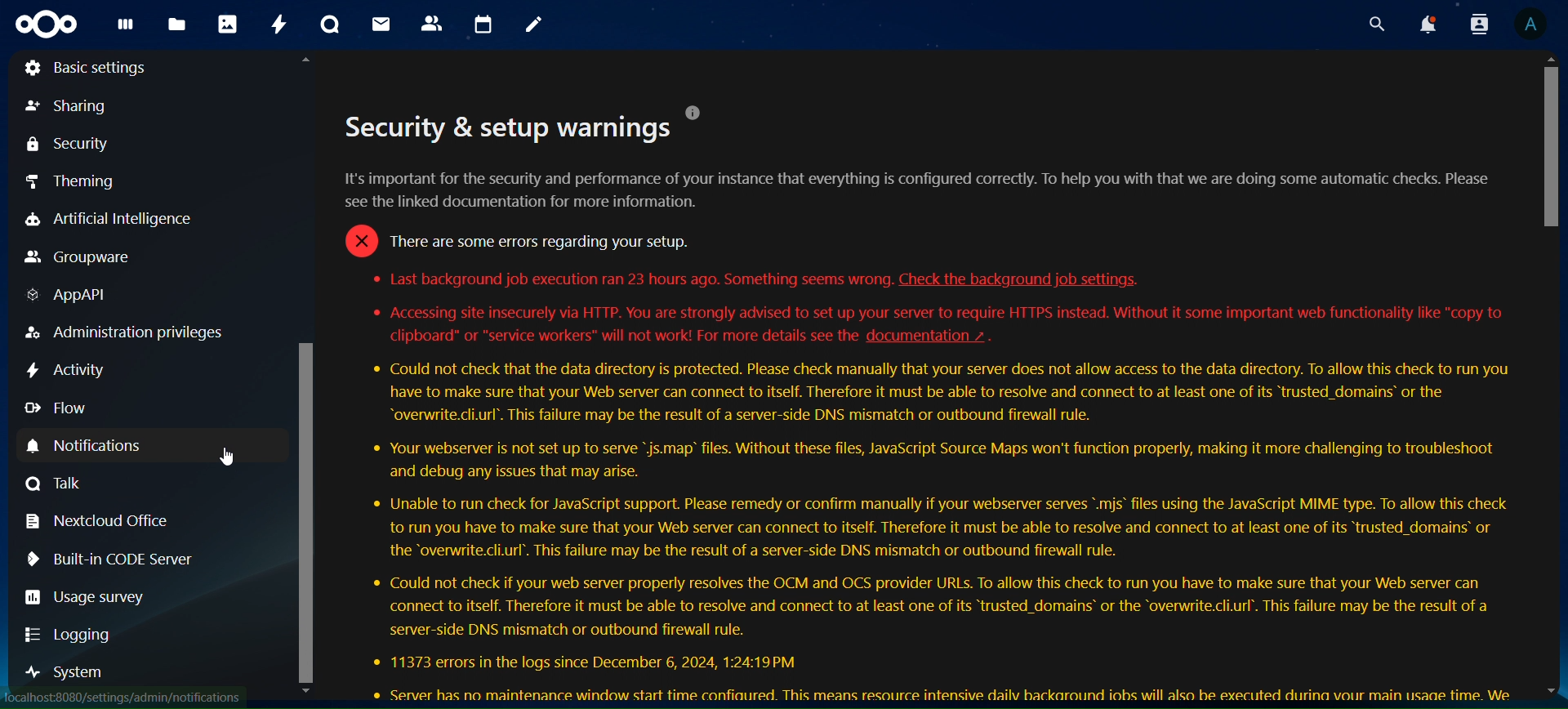 The width and height of the screenshot is (1568, 709). What do you see at coordinates (124, 29) in the screenshot?
I see `dashboard` at bounding box center [124, 29].